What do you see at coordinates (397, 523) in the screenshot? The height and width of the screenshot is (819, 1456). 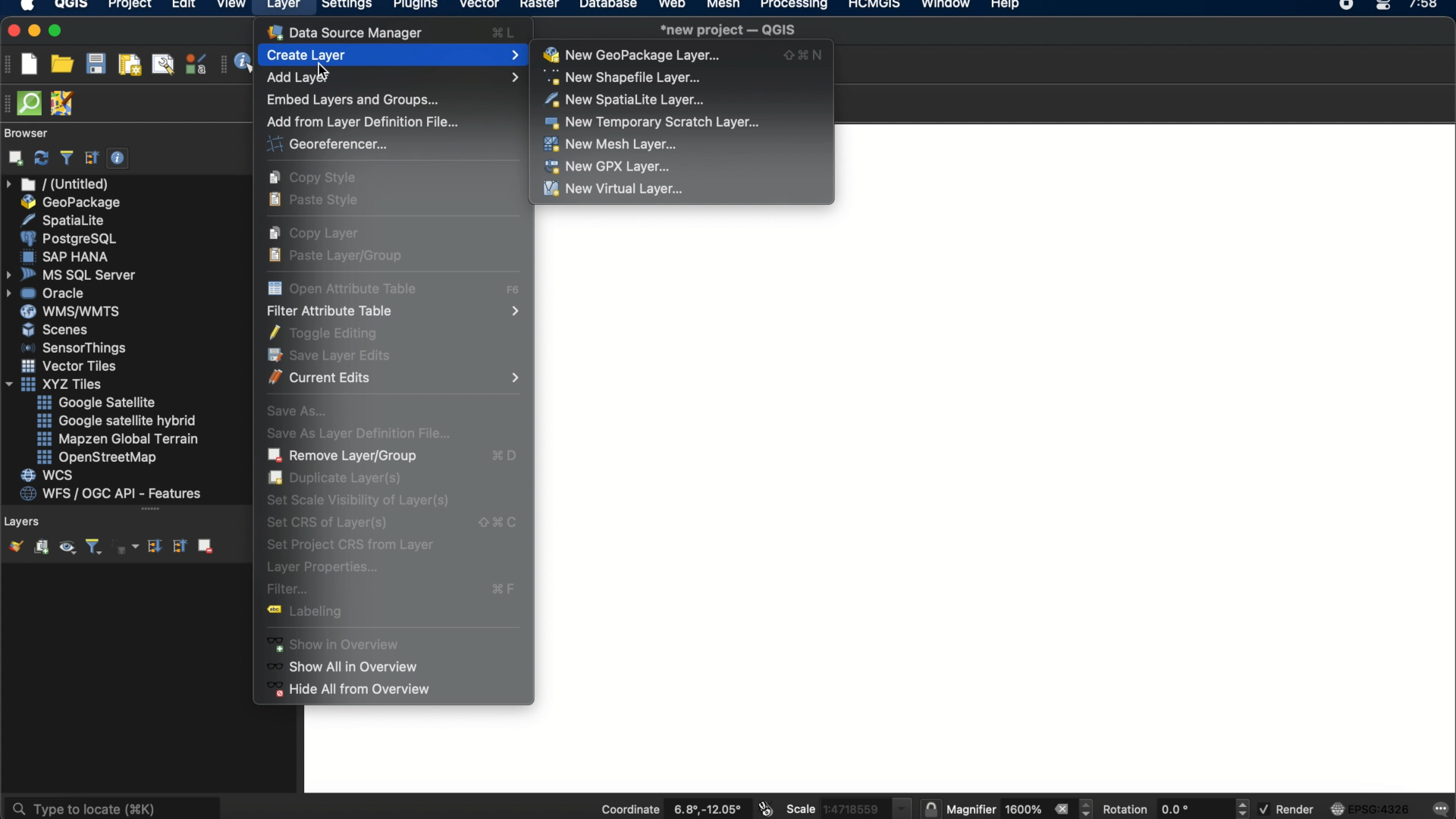 I see `set crs of layers` at bounding box center [397, 523].